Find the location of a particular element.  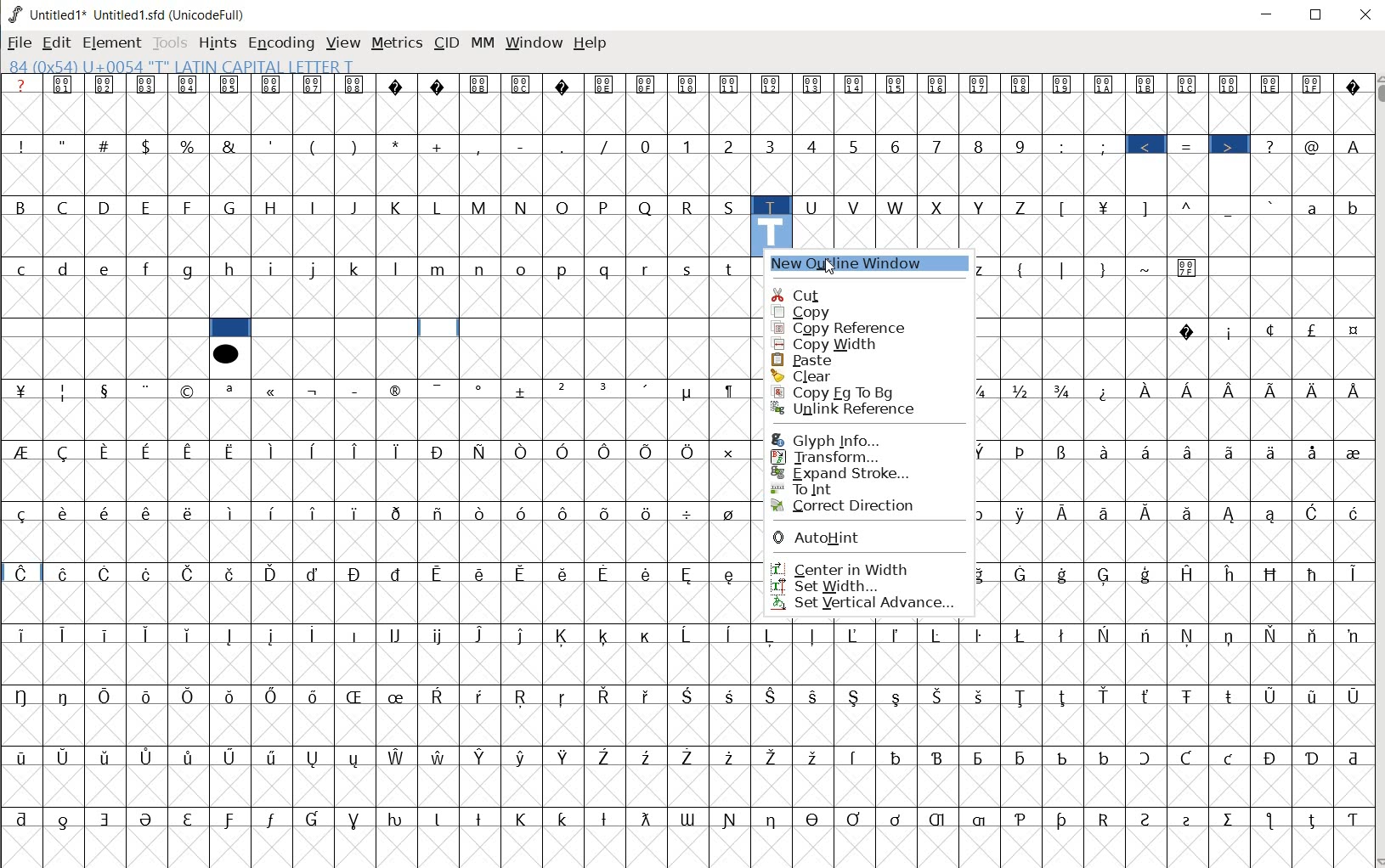

Symbol is located at coordinates (1105, 391).